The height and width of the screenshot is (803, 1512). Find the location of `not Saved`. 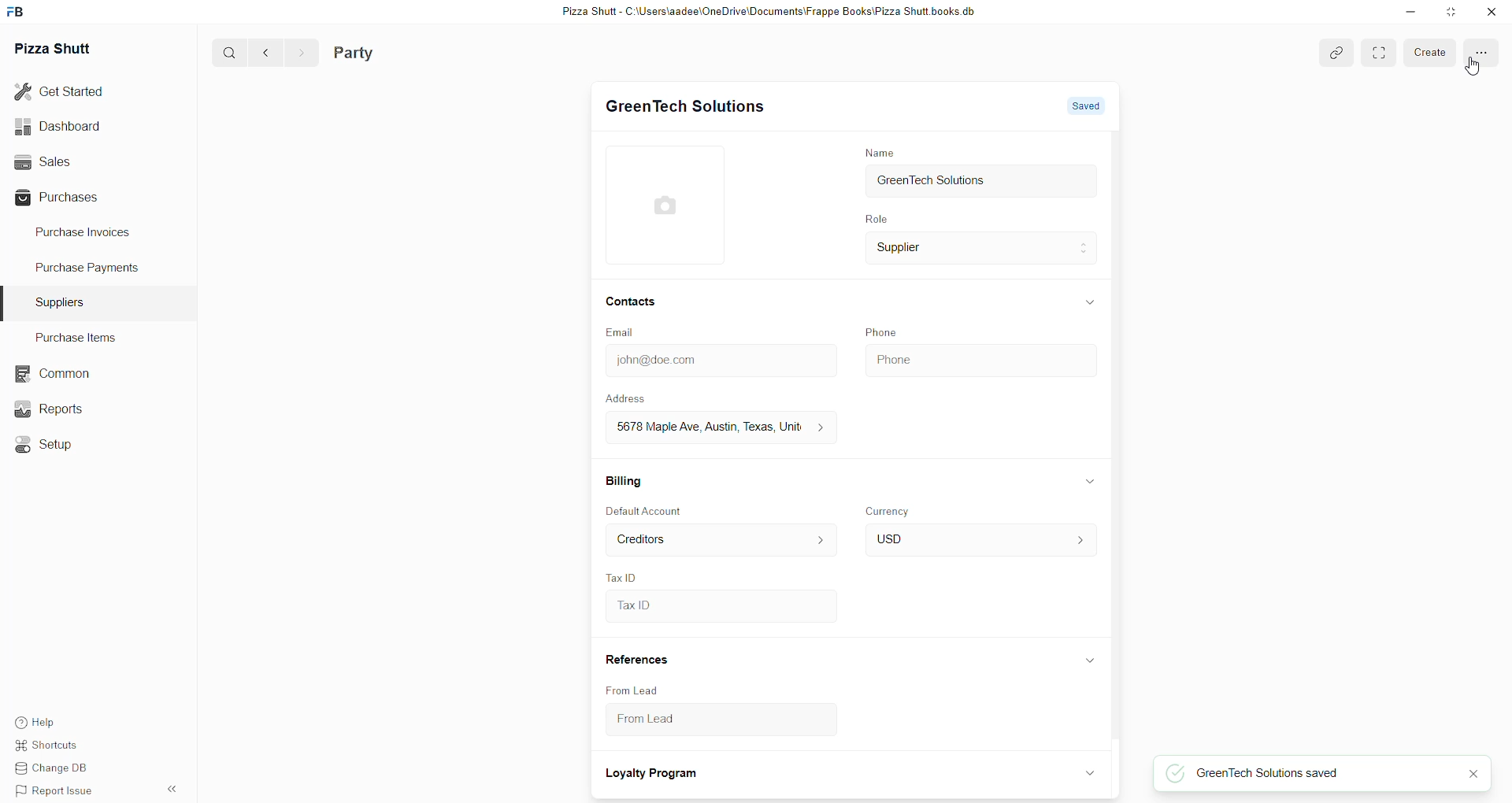

not Saved is located at coordinates (1079, 107).